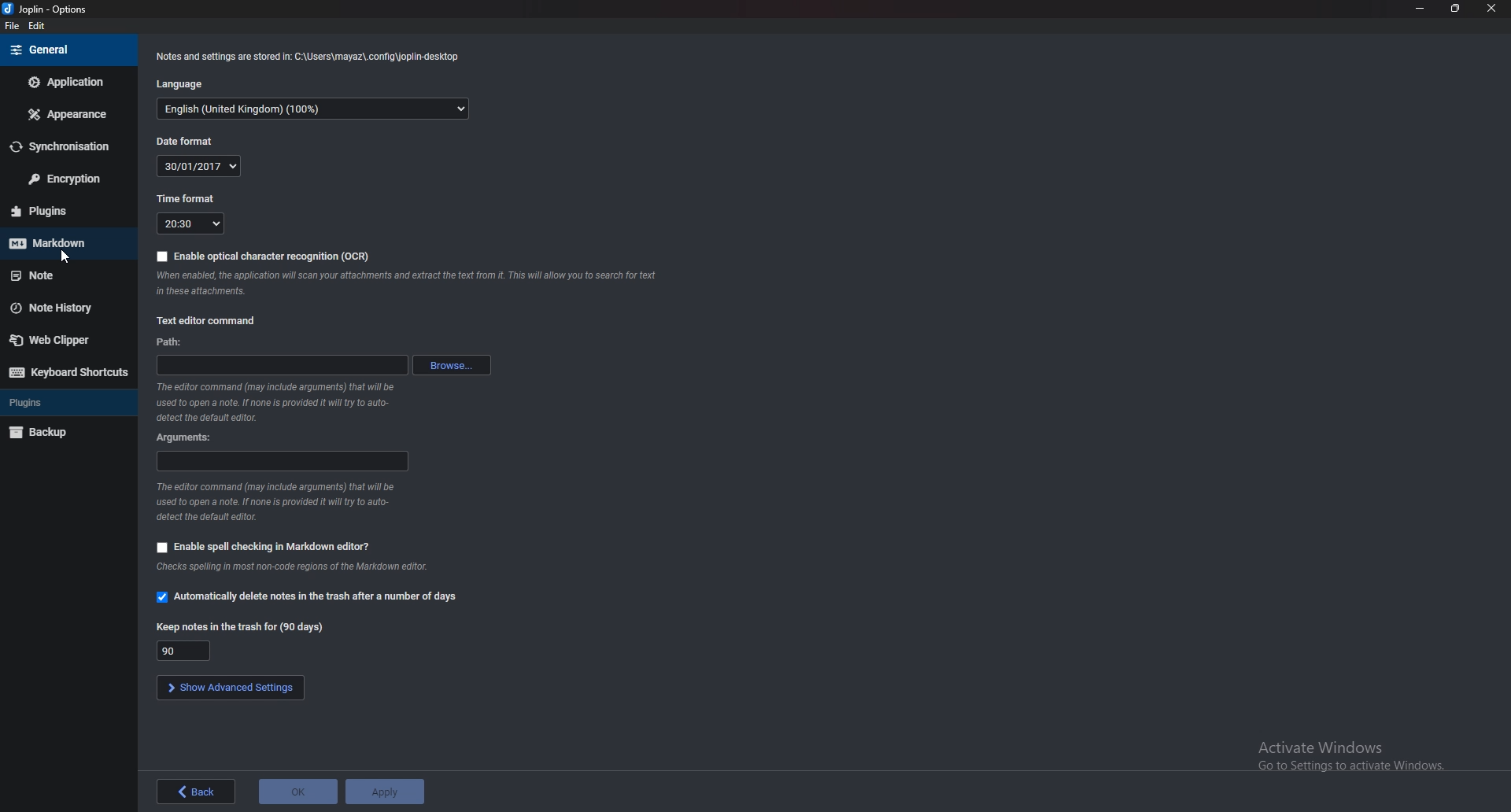 This screenshot has height=812, width=1511. What do you see at coordinates (64, 433) in the screenshot?
I see `backup` at bounding box center [64, 433].